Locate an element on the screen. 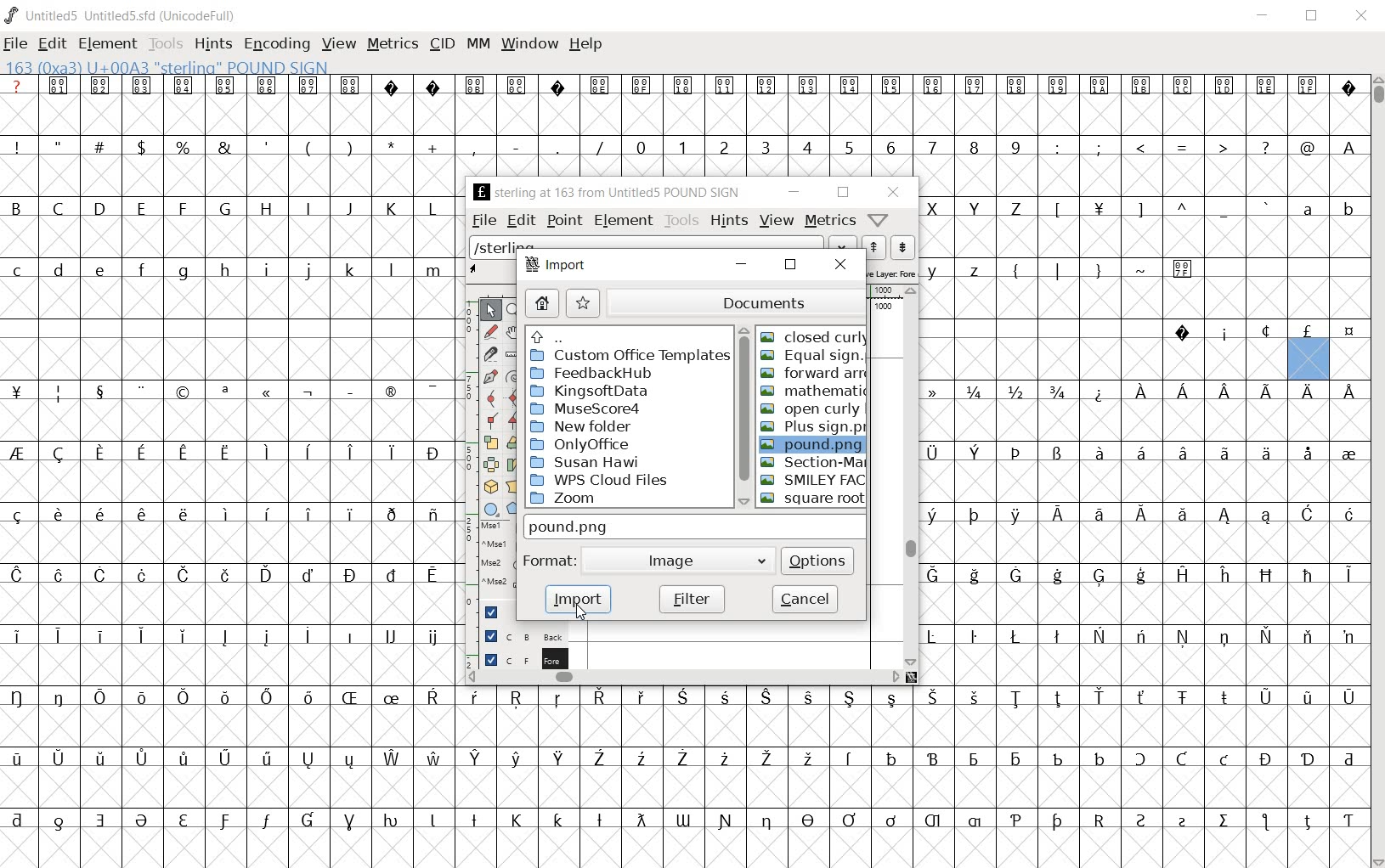  Symbol is located at coordinates (517, 84).